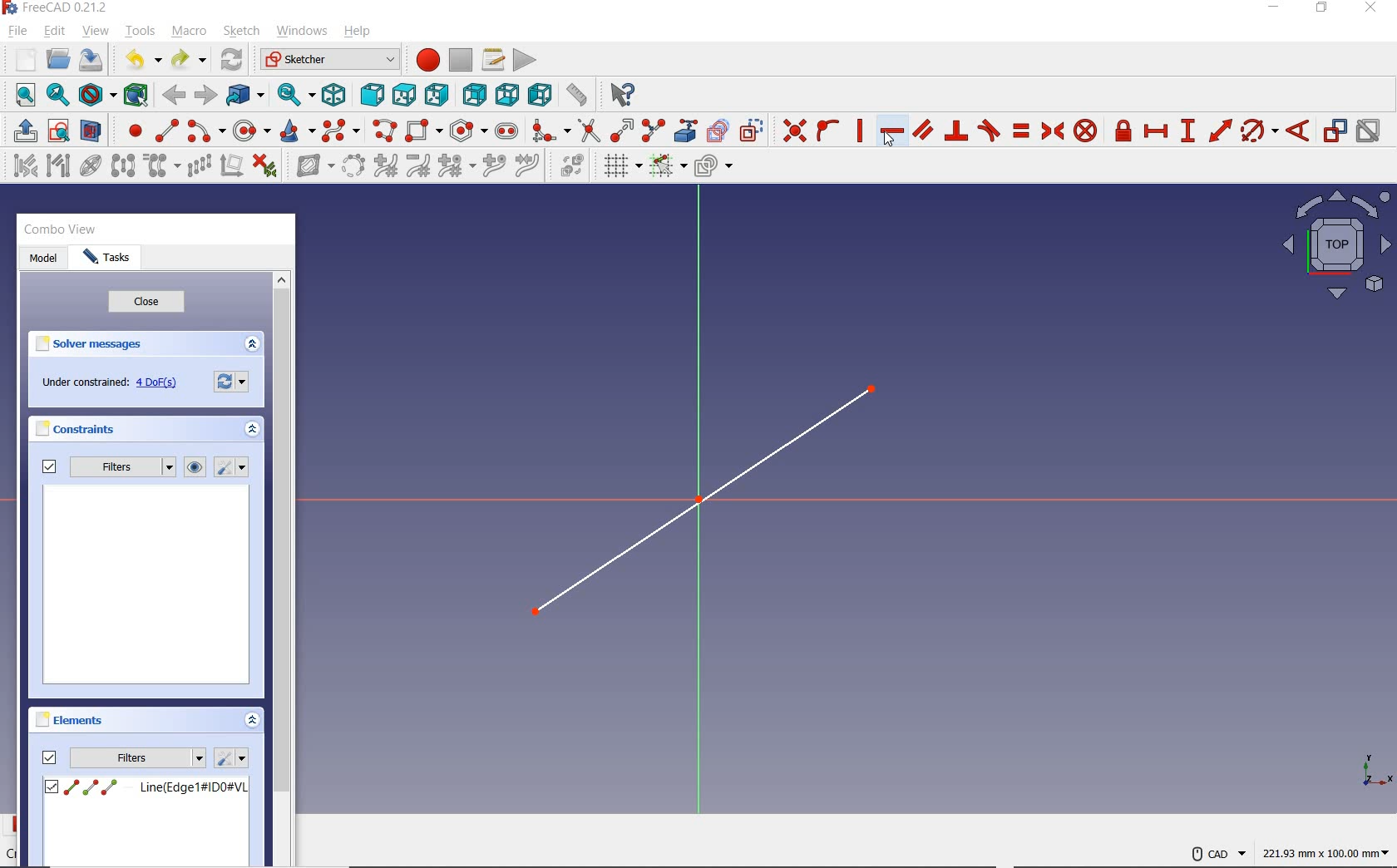 The width and height of the screenshot is (1397, 868). Describe the element at coordinates (246, 96) in the screenshot. I see `GO TO LINKED OBJECT` at that location.